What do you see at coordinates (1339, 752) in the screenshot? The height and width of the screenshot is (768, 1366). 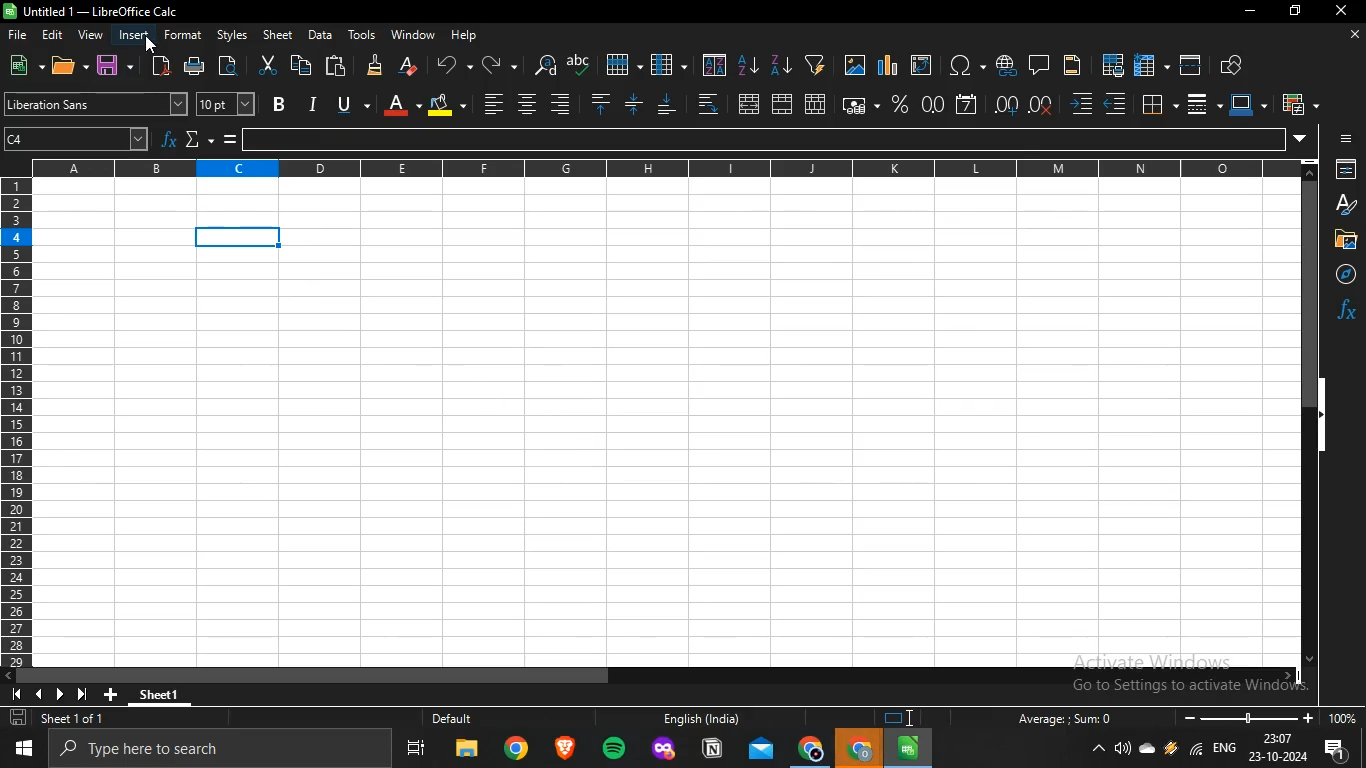 I see `notifications` at bounding box center [1339, 752].